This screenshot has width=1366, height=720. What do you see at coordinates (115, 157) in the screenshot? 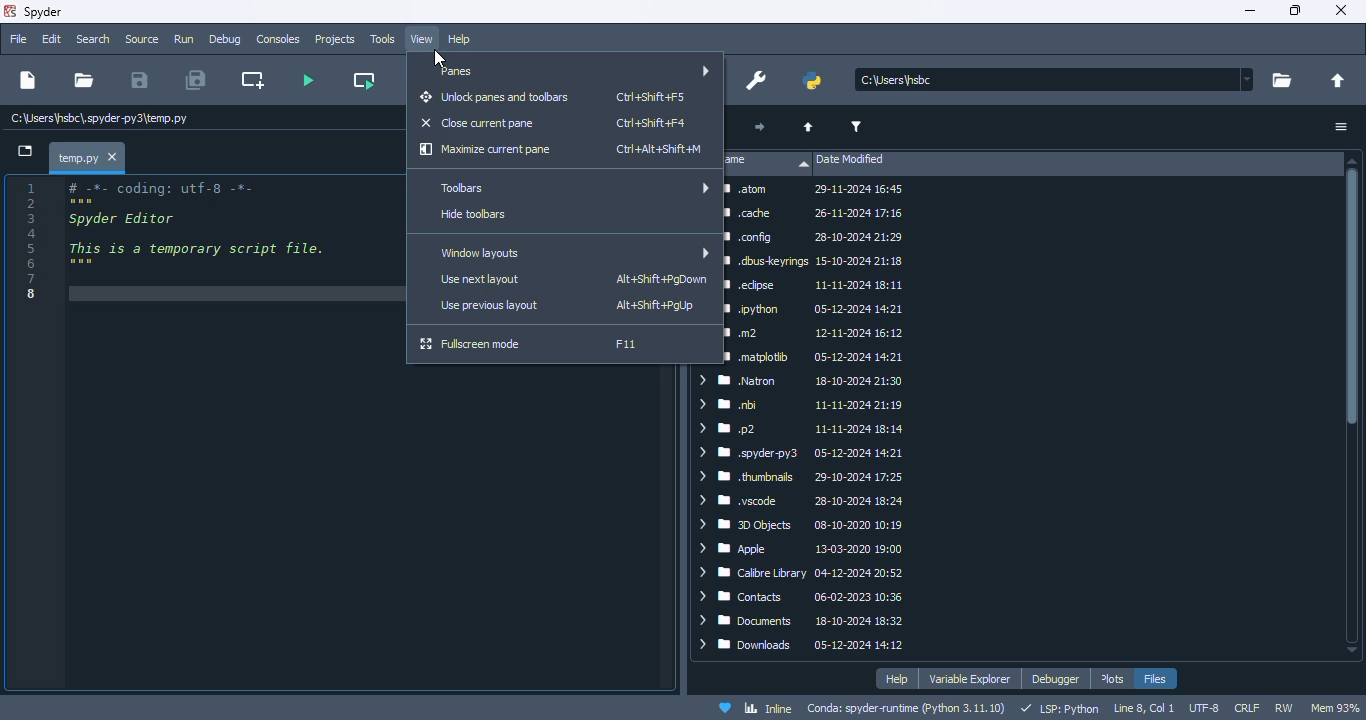
I see `close` at bounding box center [115, 157].